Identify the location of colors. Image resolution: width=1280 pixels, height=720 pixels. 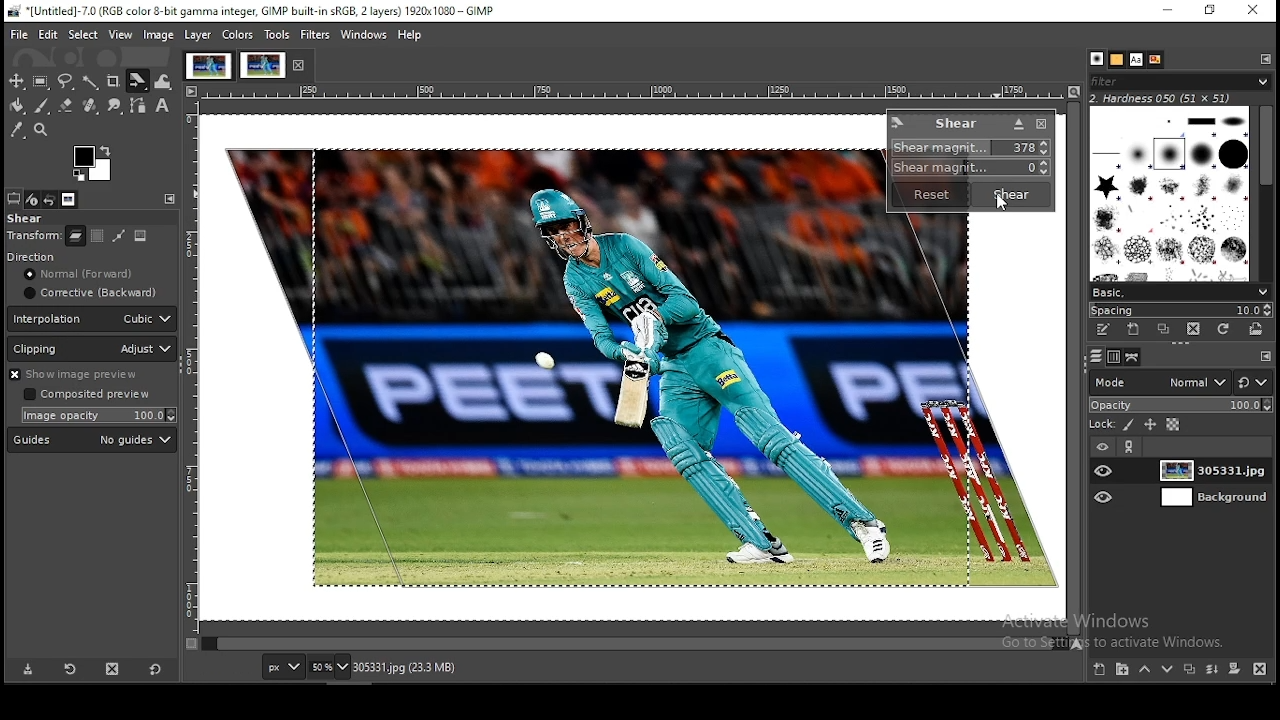
(93, 161).